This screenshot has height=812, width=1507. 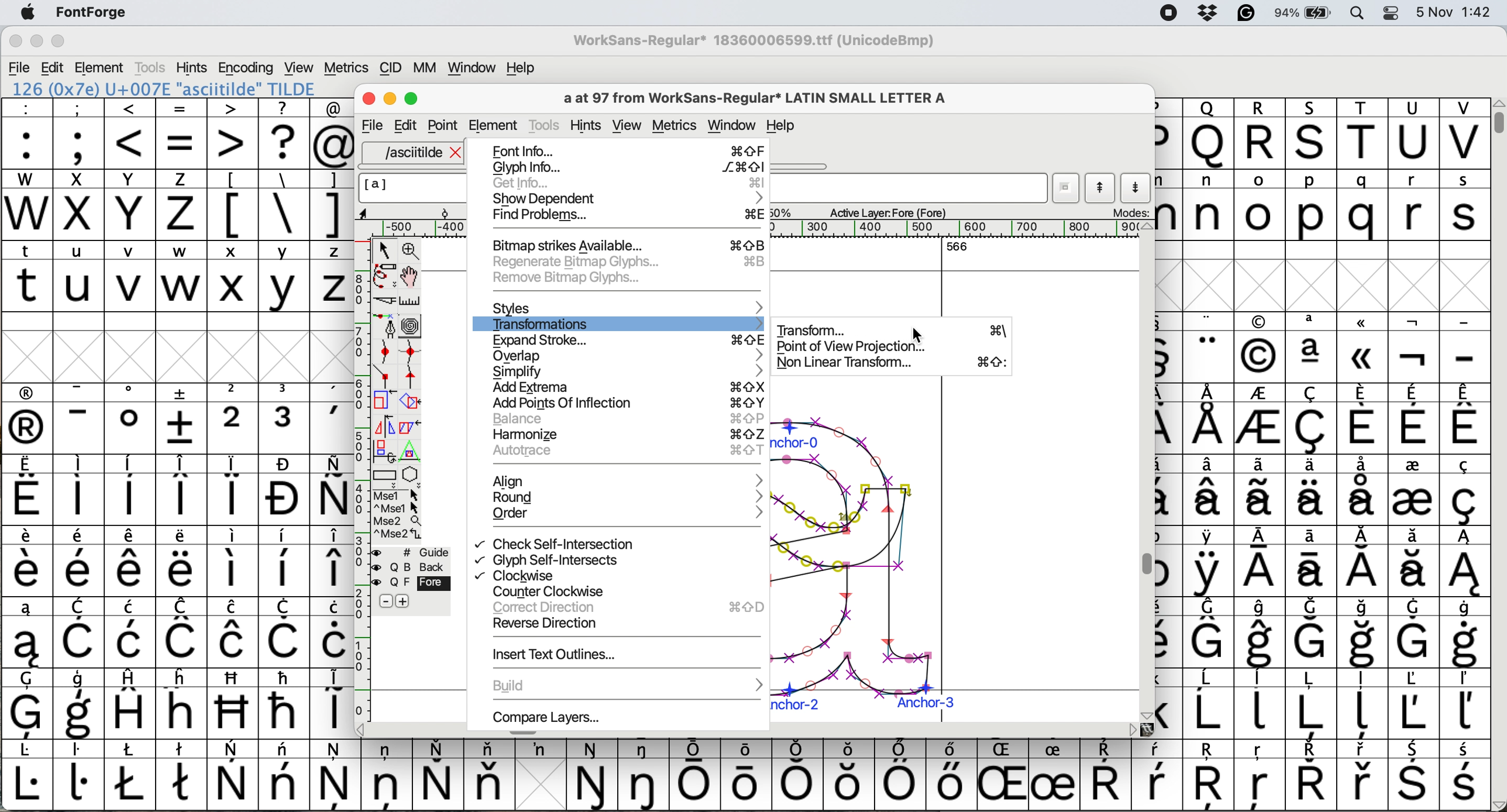 I want to click on symbol, so click(x=285, y=632).